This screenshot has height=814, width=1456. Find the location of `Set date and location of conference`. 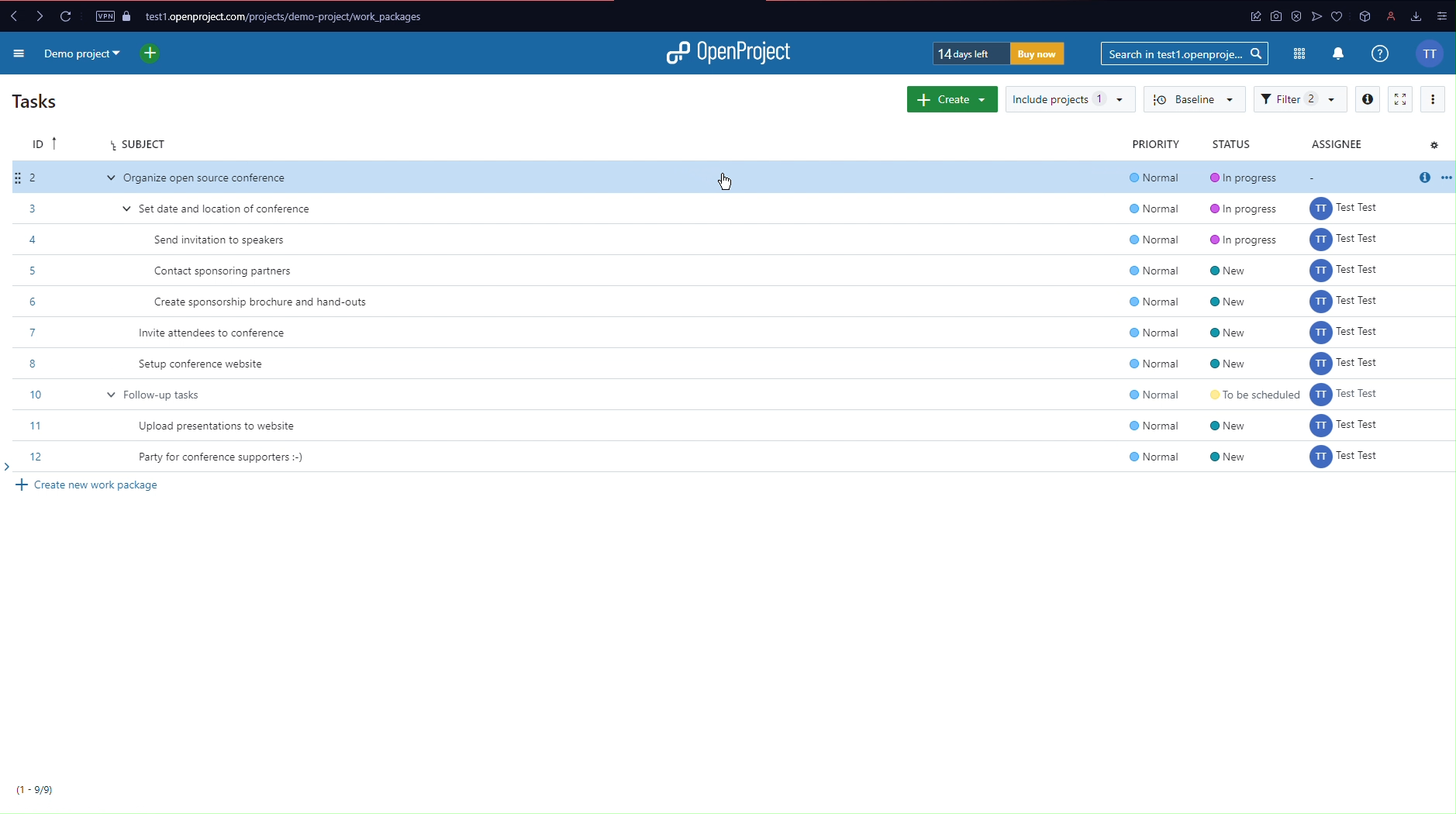

Set date and location of conference is located at coordinates (213, 208).